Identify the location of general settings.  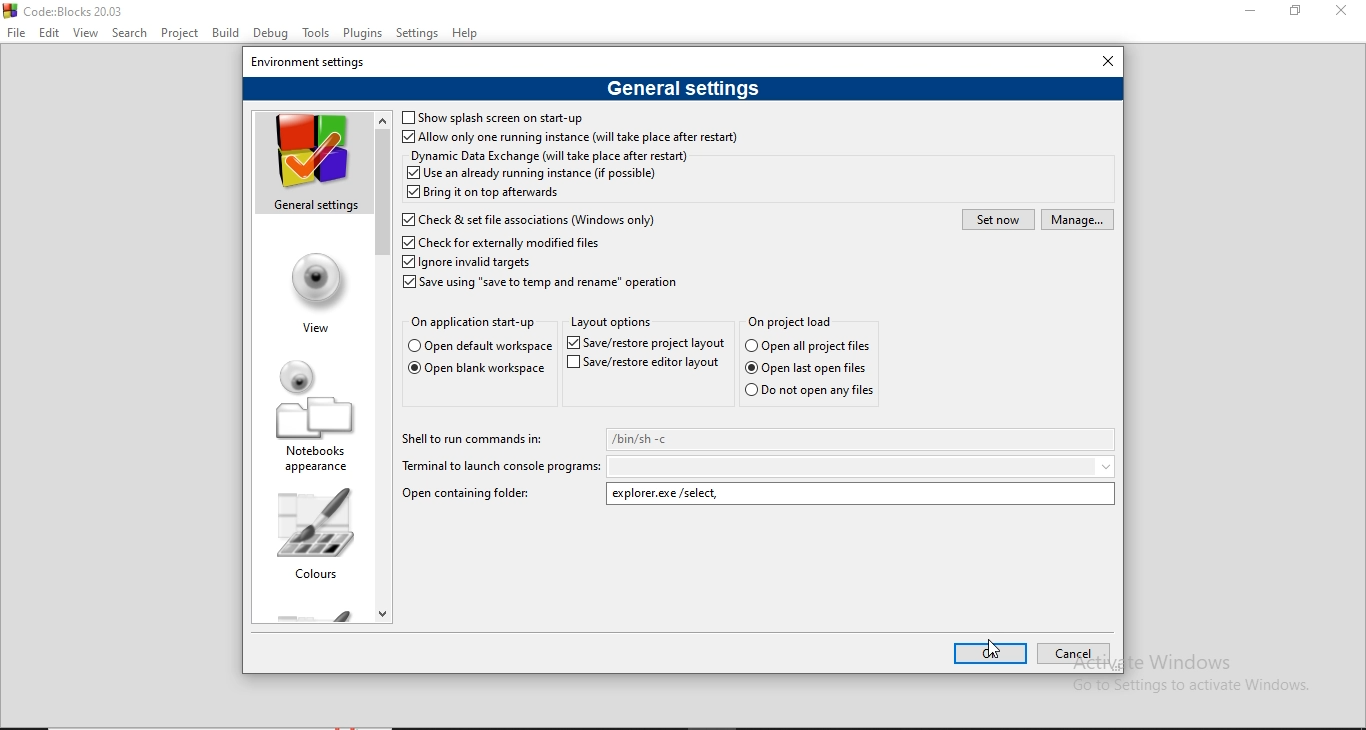
(311, 163).